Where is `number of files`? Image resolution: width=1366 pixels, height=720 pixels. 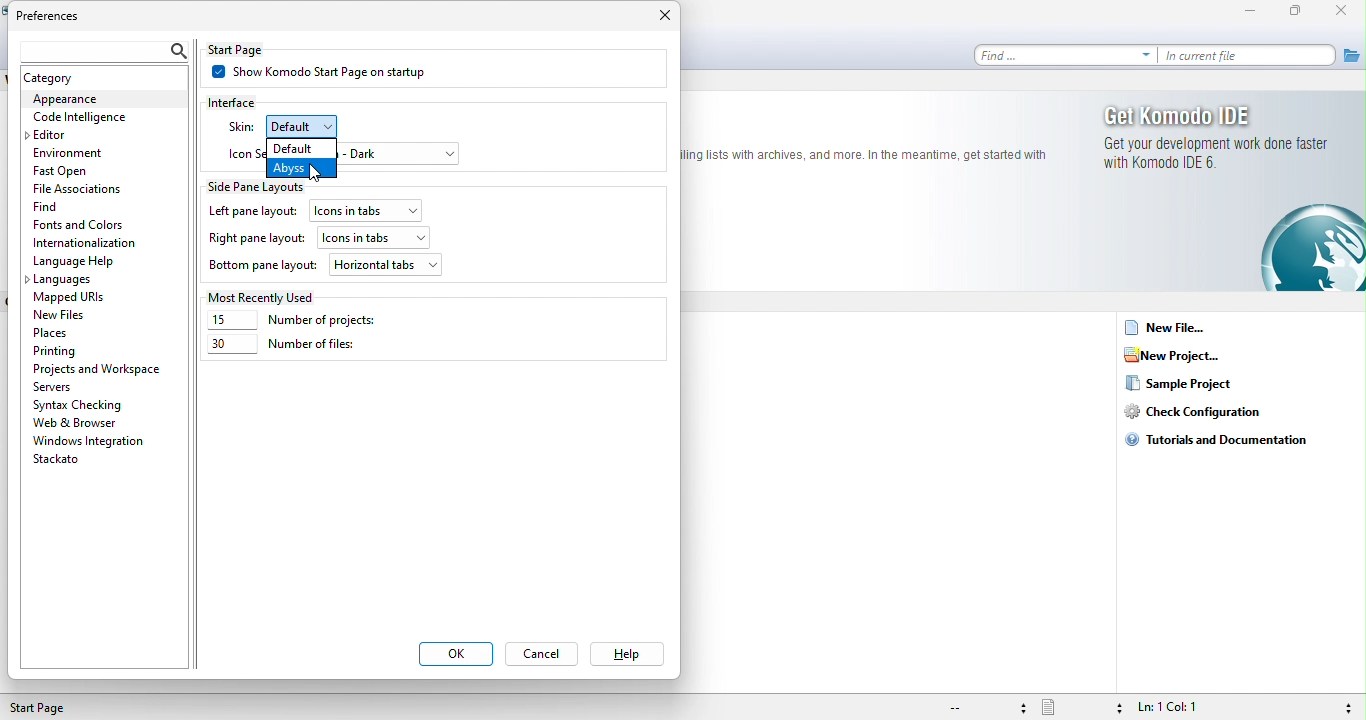
number of files is located at coordinates (282, 348).